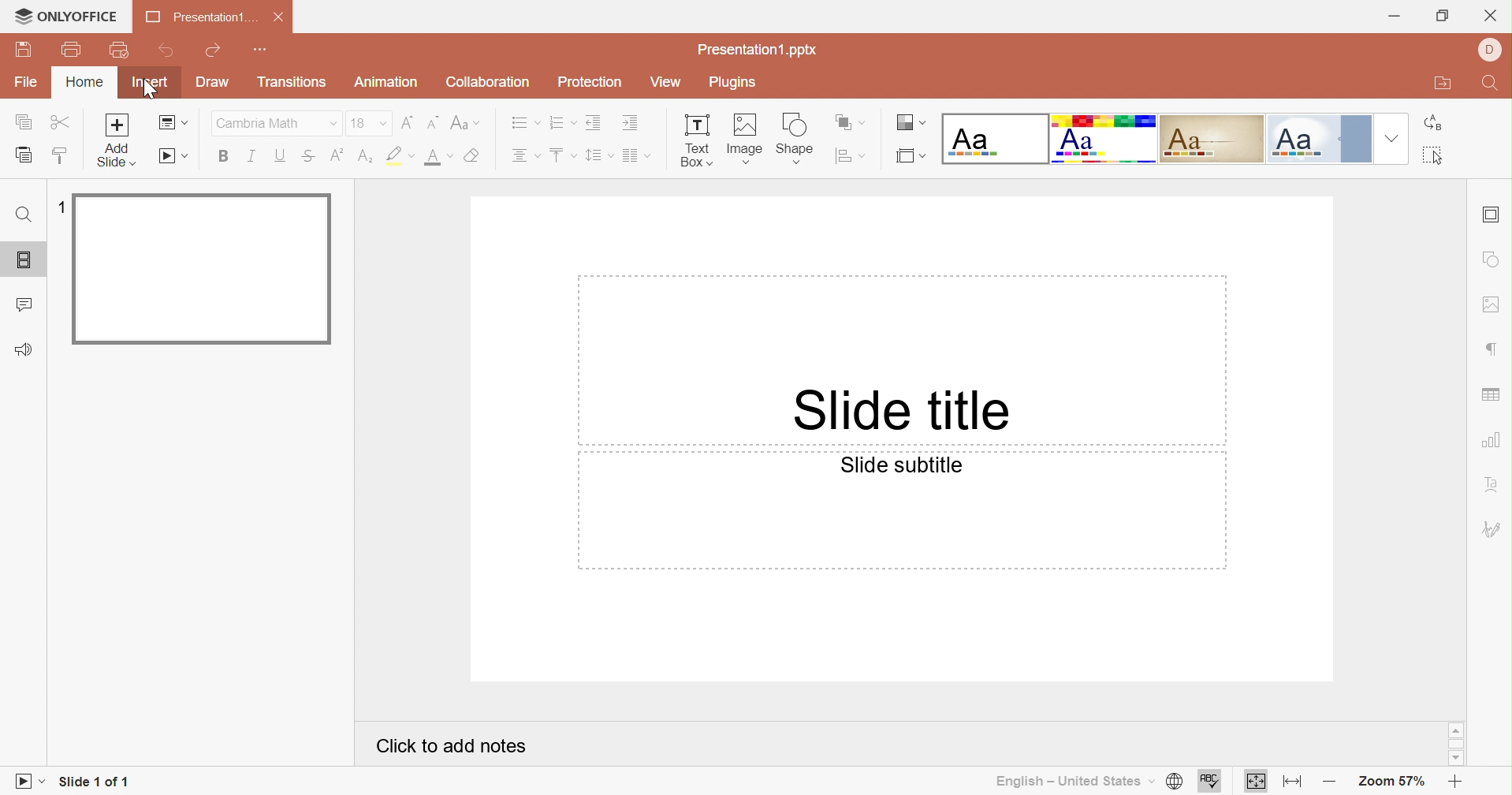 This screenshot has width=1512, height=795. Describe the element at coordinates (60, 120) in the screenshot. I see `Cut` at that location.